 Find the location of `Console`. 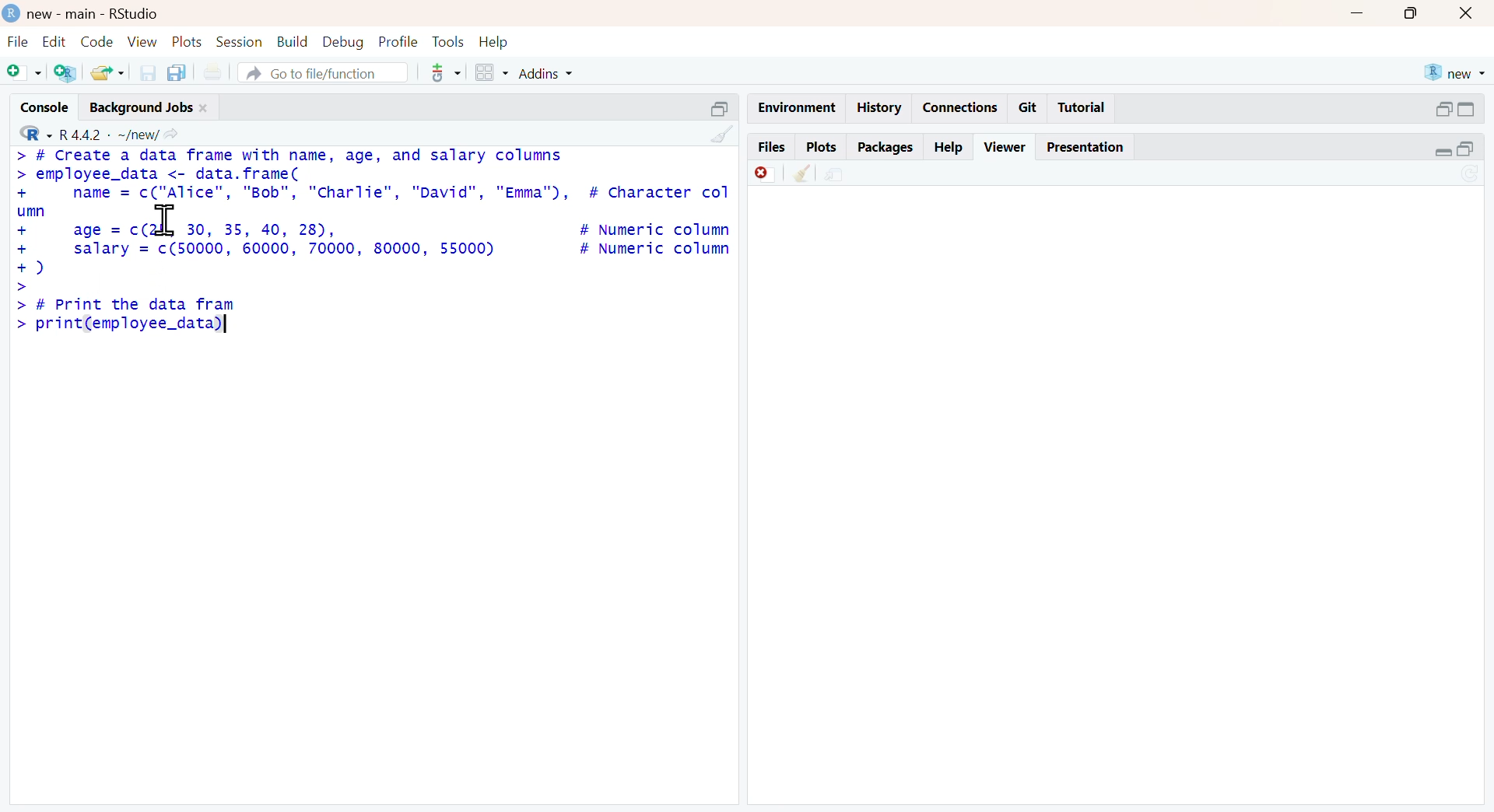

Console is located at coordinates (37, 109).